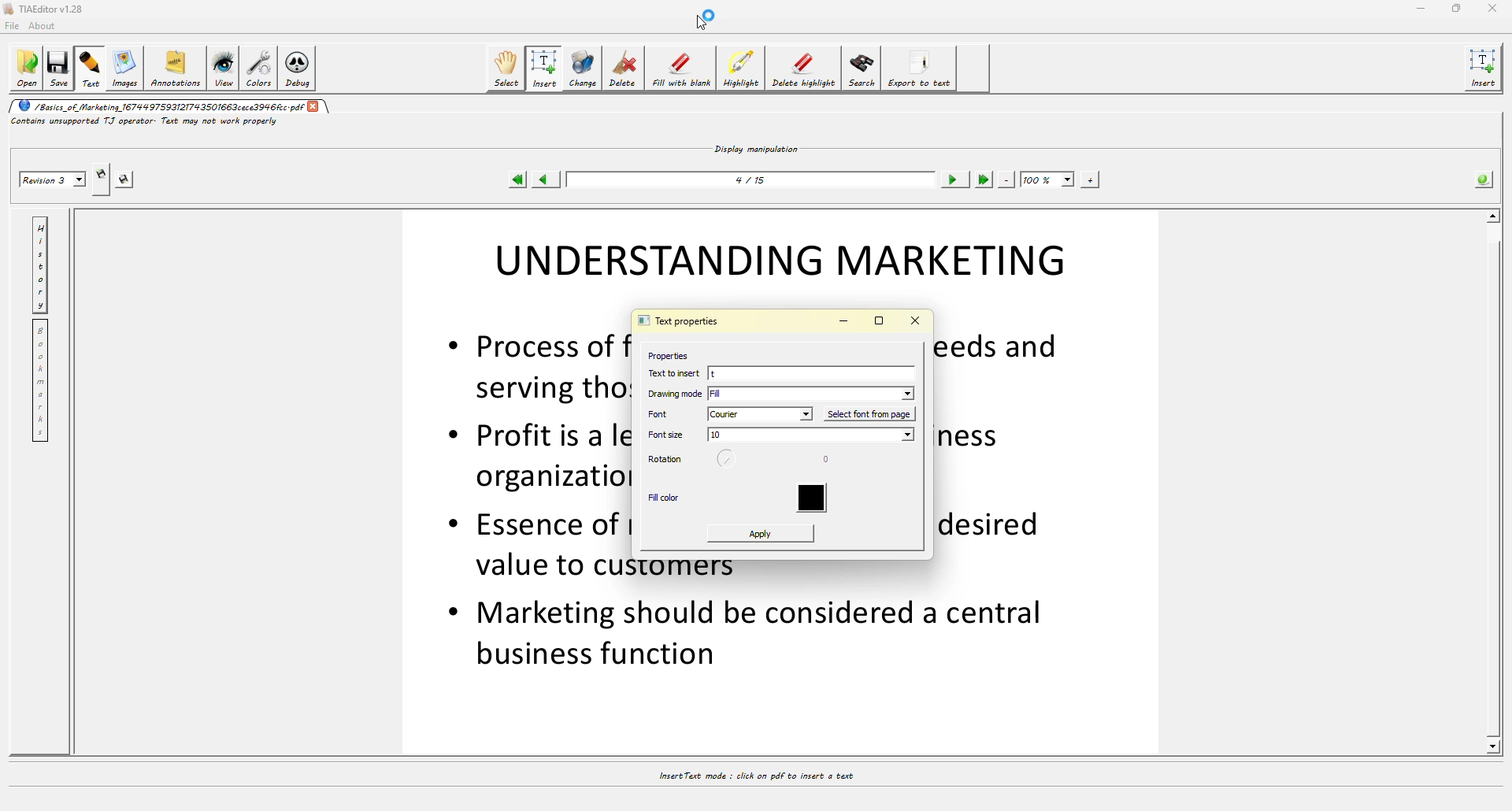 The image size is (1512, 811). I want to click on t, so click(778, 372).